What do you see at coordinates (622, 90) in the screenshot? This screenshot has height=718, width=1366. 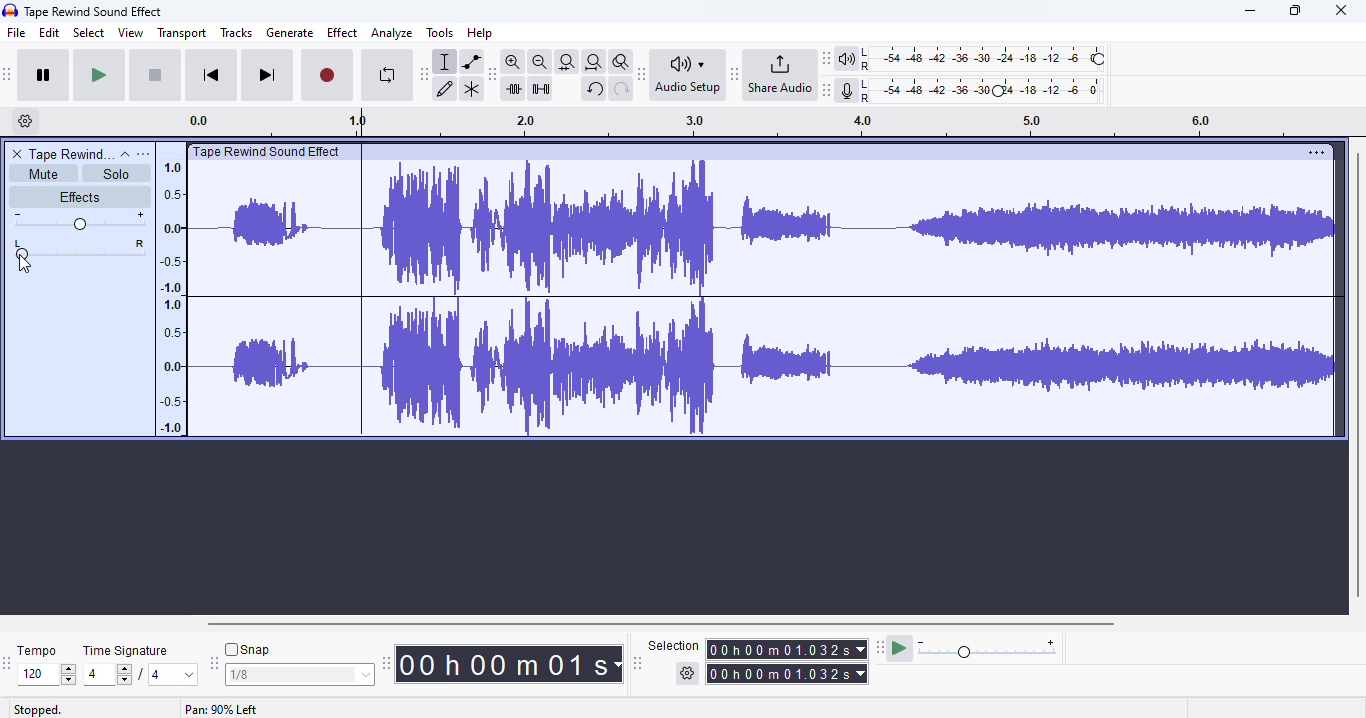 I see `redo` at bounding box center [622, 90].